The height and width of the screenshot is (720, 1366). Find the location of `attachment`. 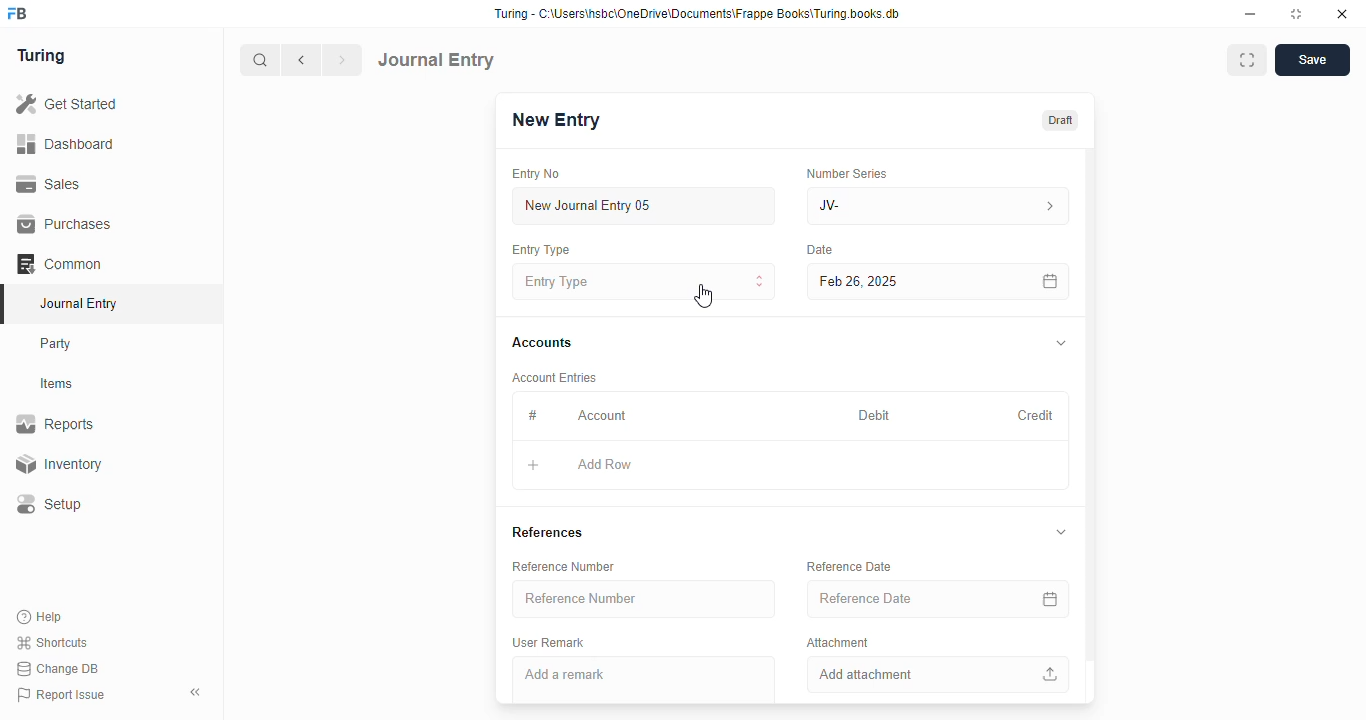

attachment is located at coordinates (838, 642).